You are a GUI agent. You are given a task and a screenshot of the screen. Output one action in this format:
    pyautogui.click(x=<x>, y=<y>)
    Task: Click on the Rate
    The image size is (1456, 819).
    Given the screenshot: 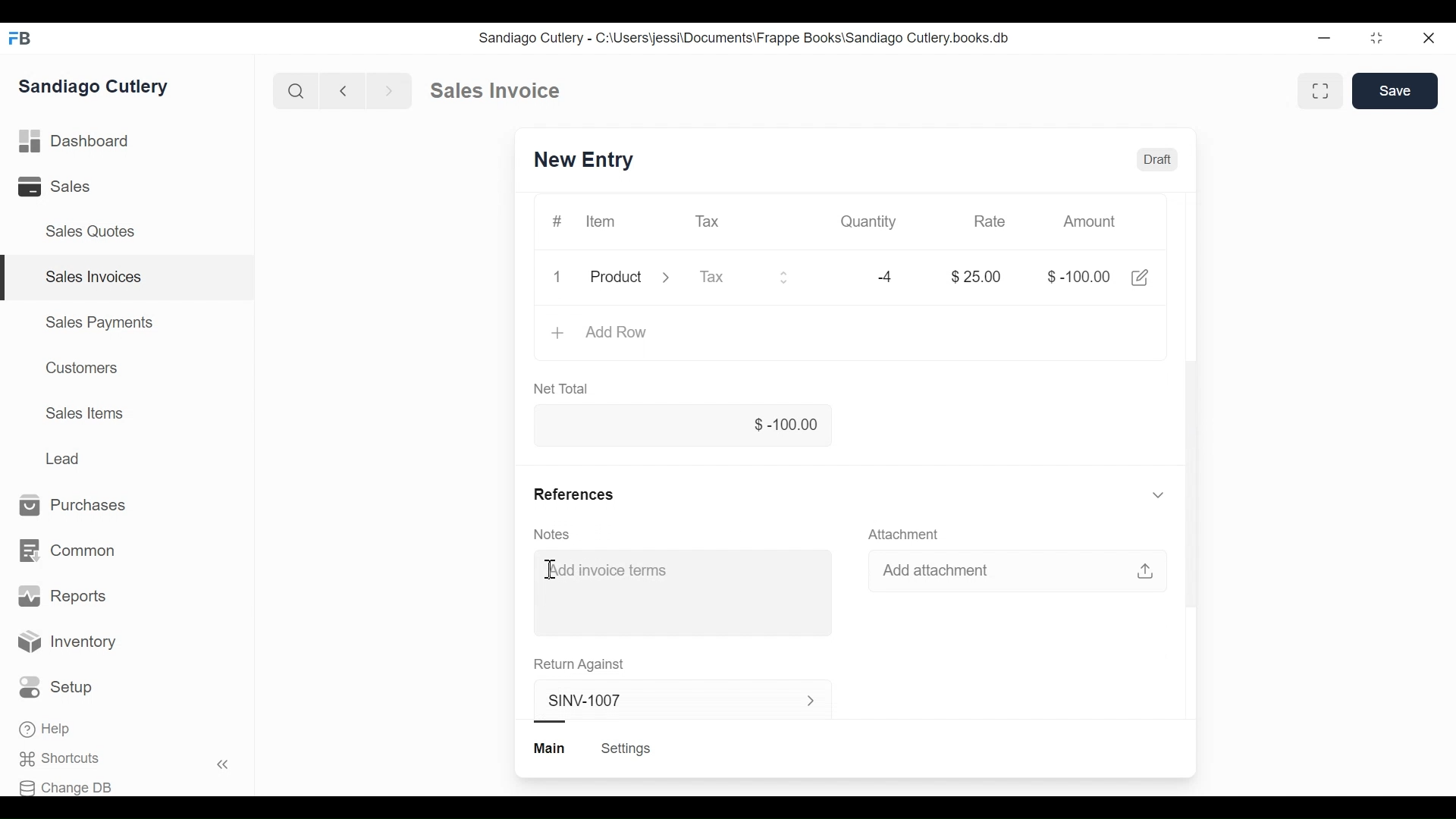 What is the action you would take?
    pyautogui.click(x=989, y=221)
    